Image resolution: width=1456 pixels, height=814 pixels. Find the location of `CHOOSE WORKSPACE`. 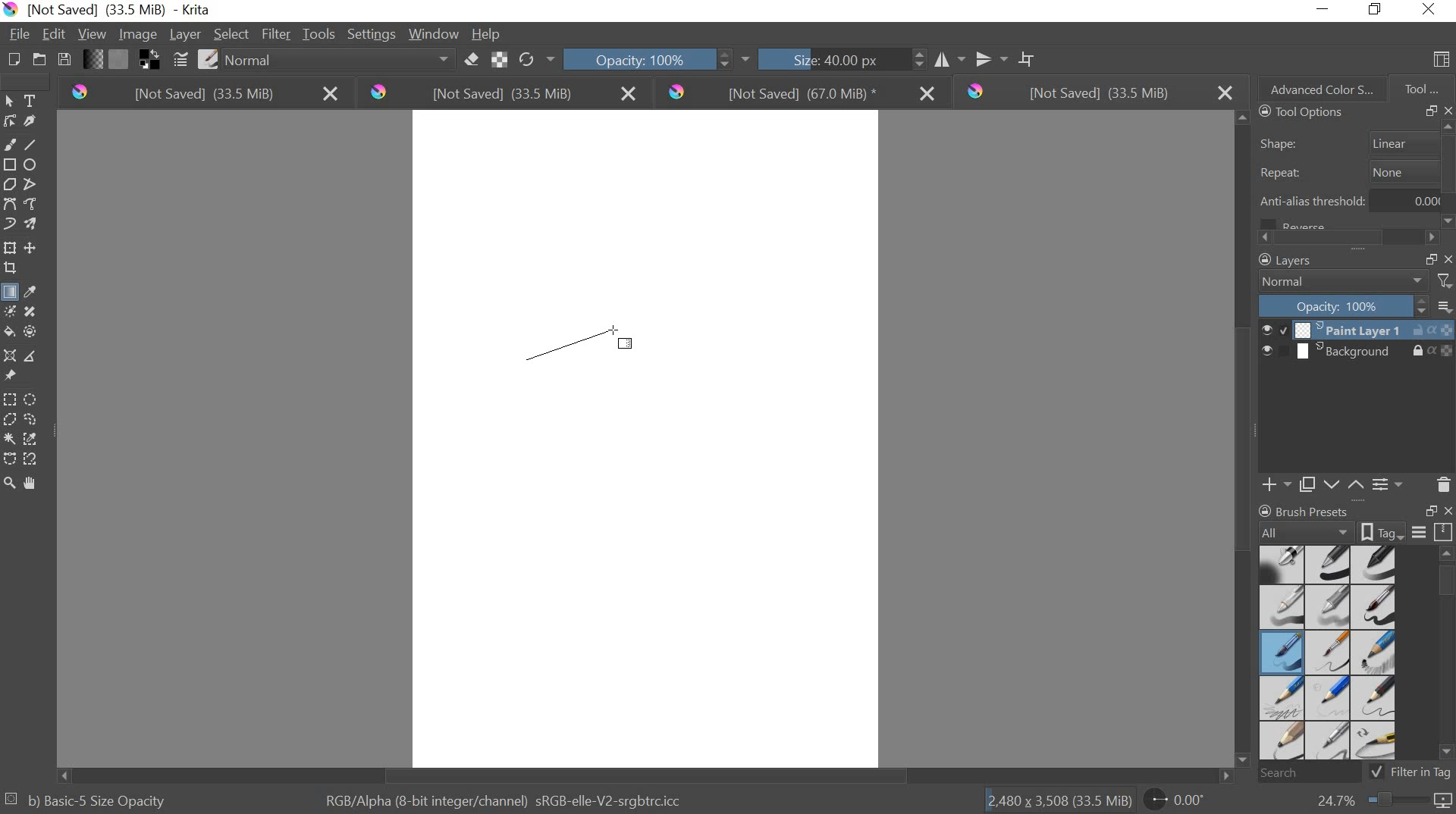

CHOOSE WORKSPACE is located at coordinates (1442, 61).